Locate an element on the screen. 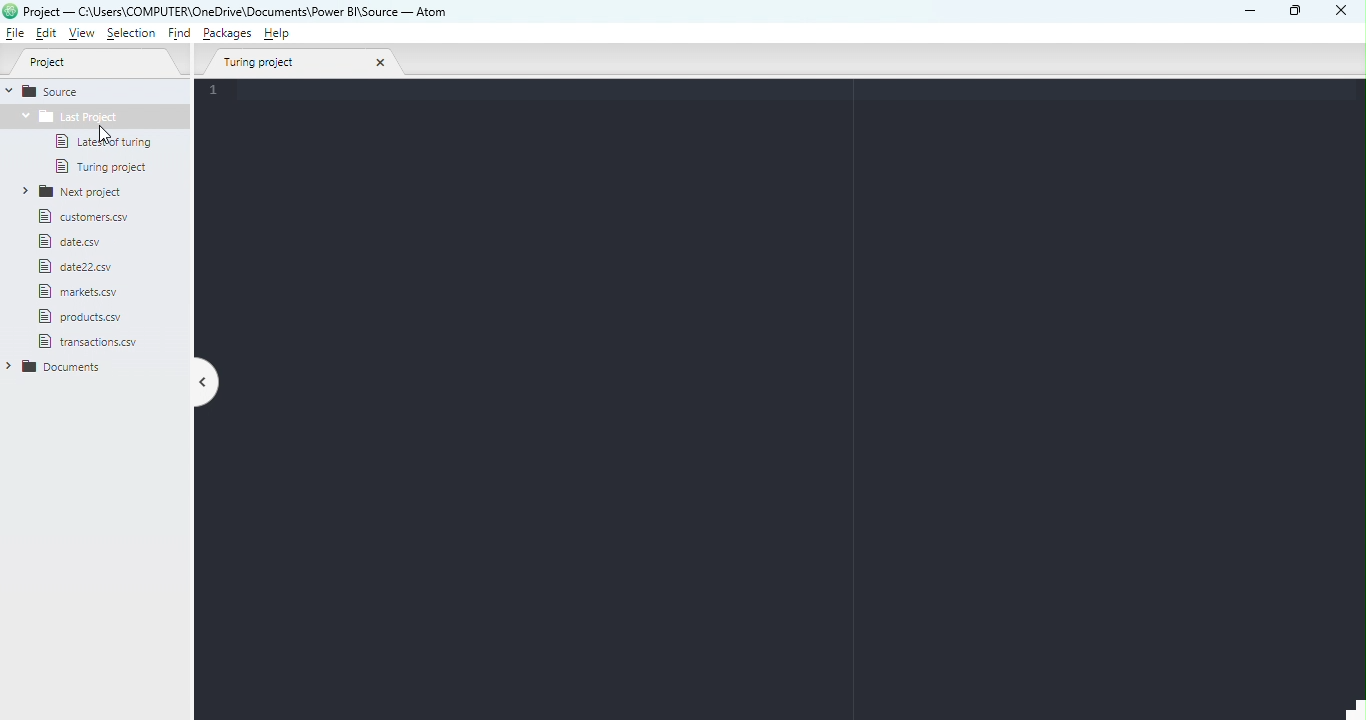  Close is located at coordinates (1341, 12).